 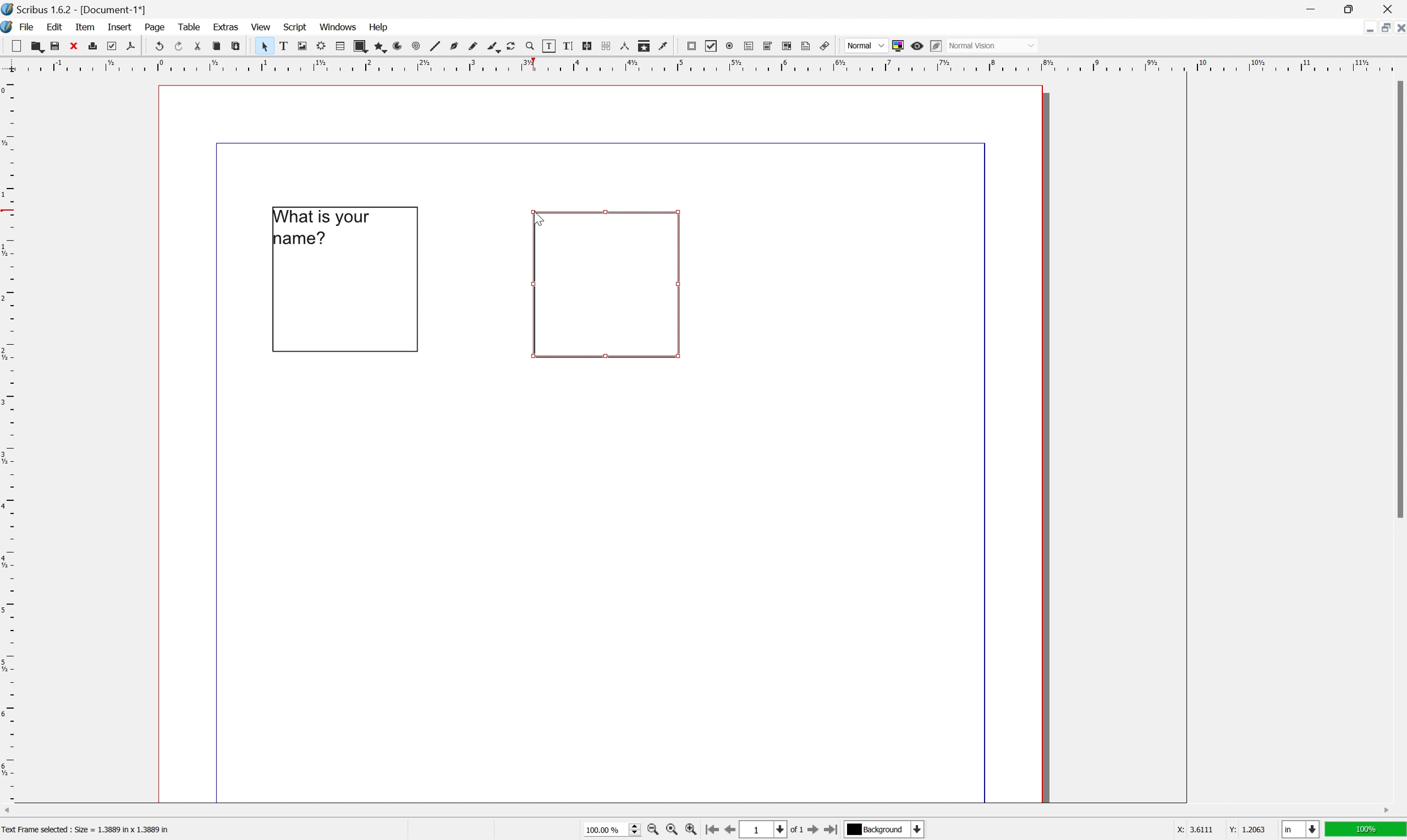 I want to click on application logo, so click(x=9, y=28).